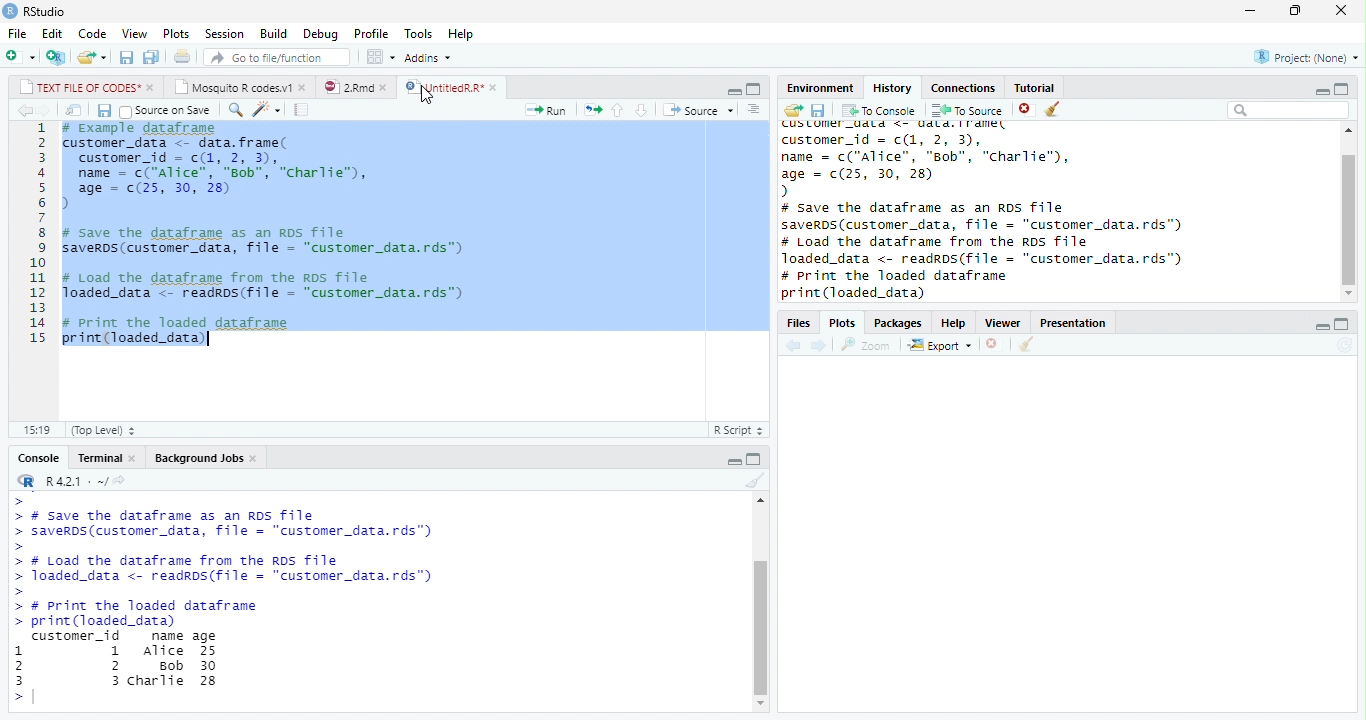 The width and height of the screenshot is (1366, 720). I want to click on search, so click(1289, 110).